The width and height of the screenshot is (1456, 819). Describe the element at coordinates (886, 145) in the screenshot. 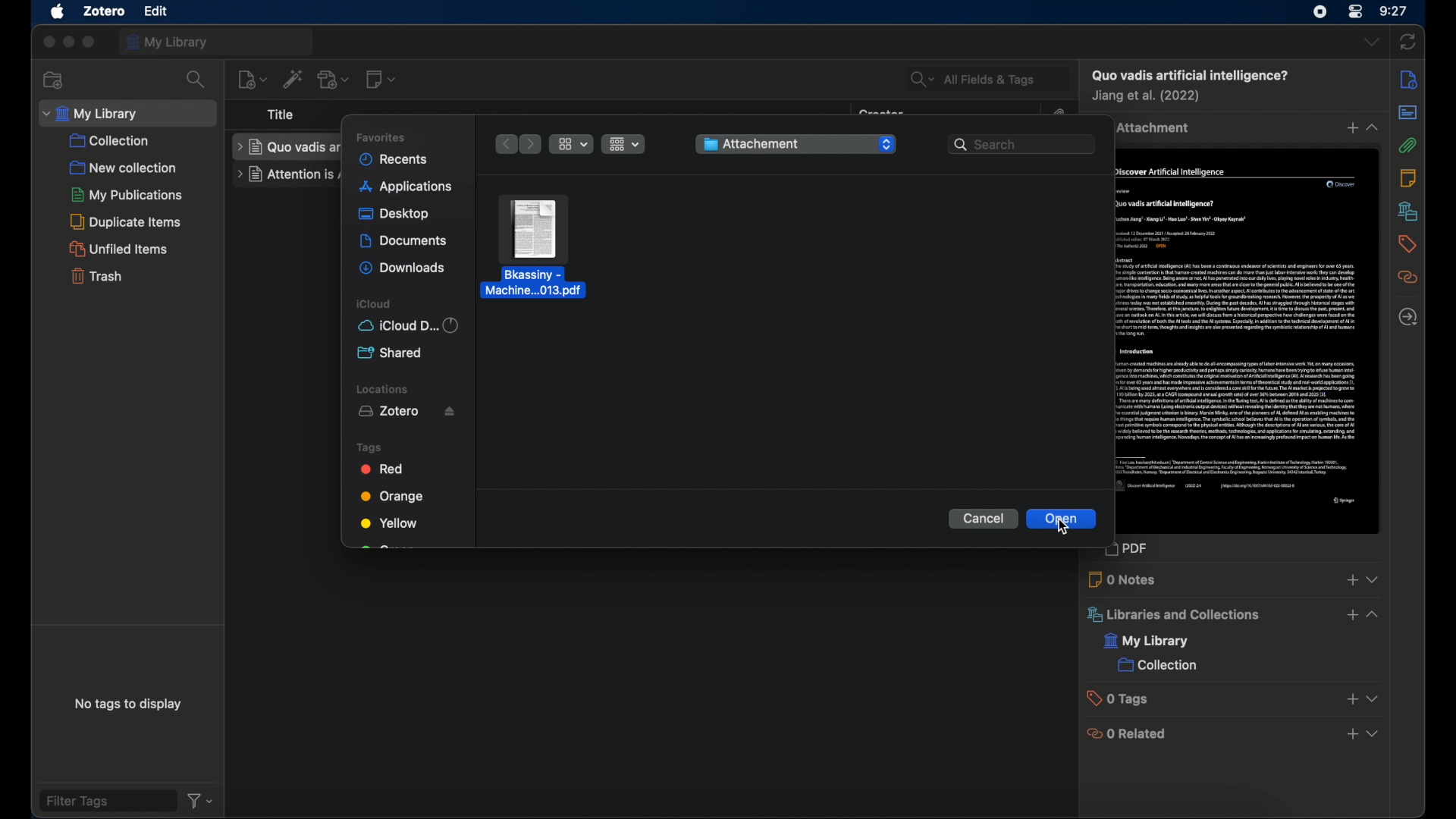

I see `dropdown` at that location.